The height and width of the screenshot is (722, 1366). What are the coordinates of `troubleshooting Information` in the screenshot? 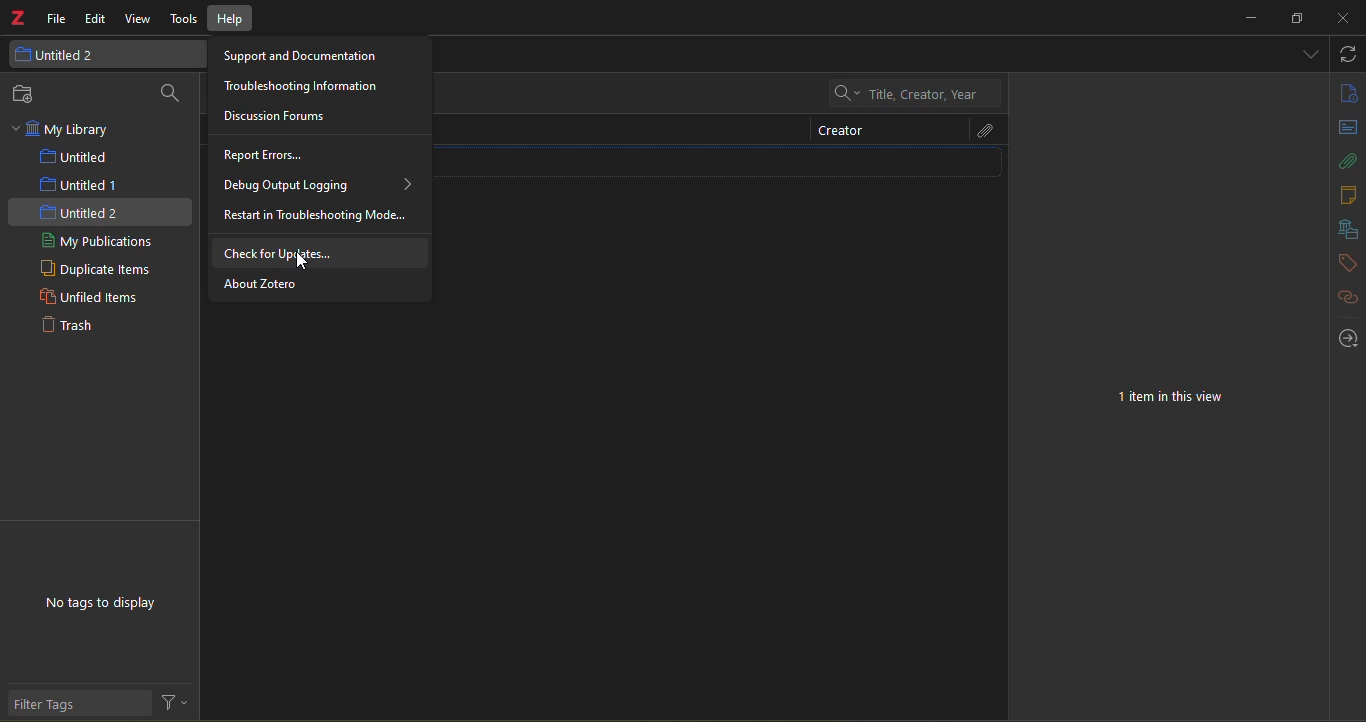 It's located at (302, 84).